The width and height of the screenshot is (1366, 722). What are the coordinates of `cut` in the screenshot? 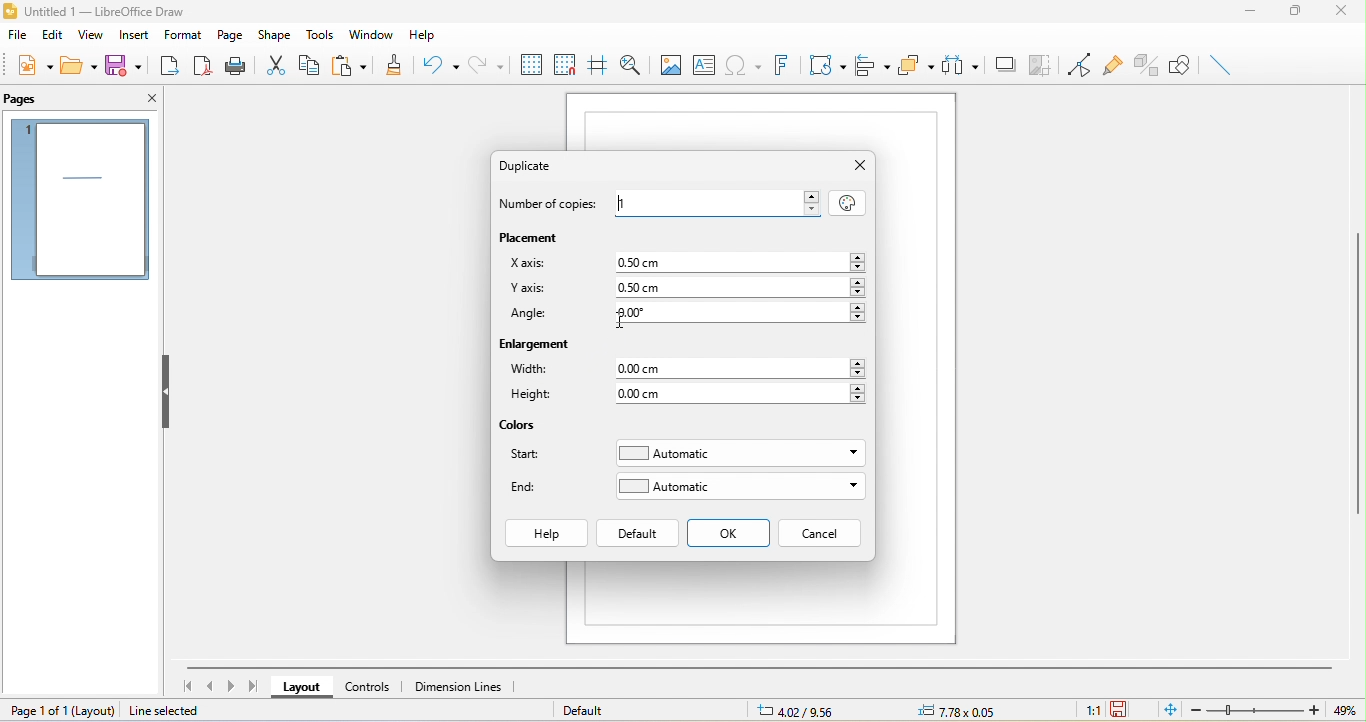 It's located at (281, 64).